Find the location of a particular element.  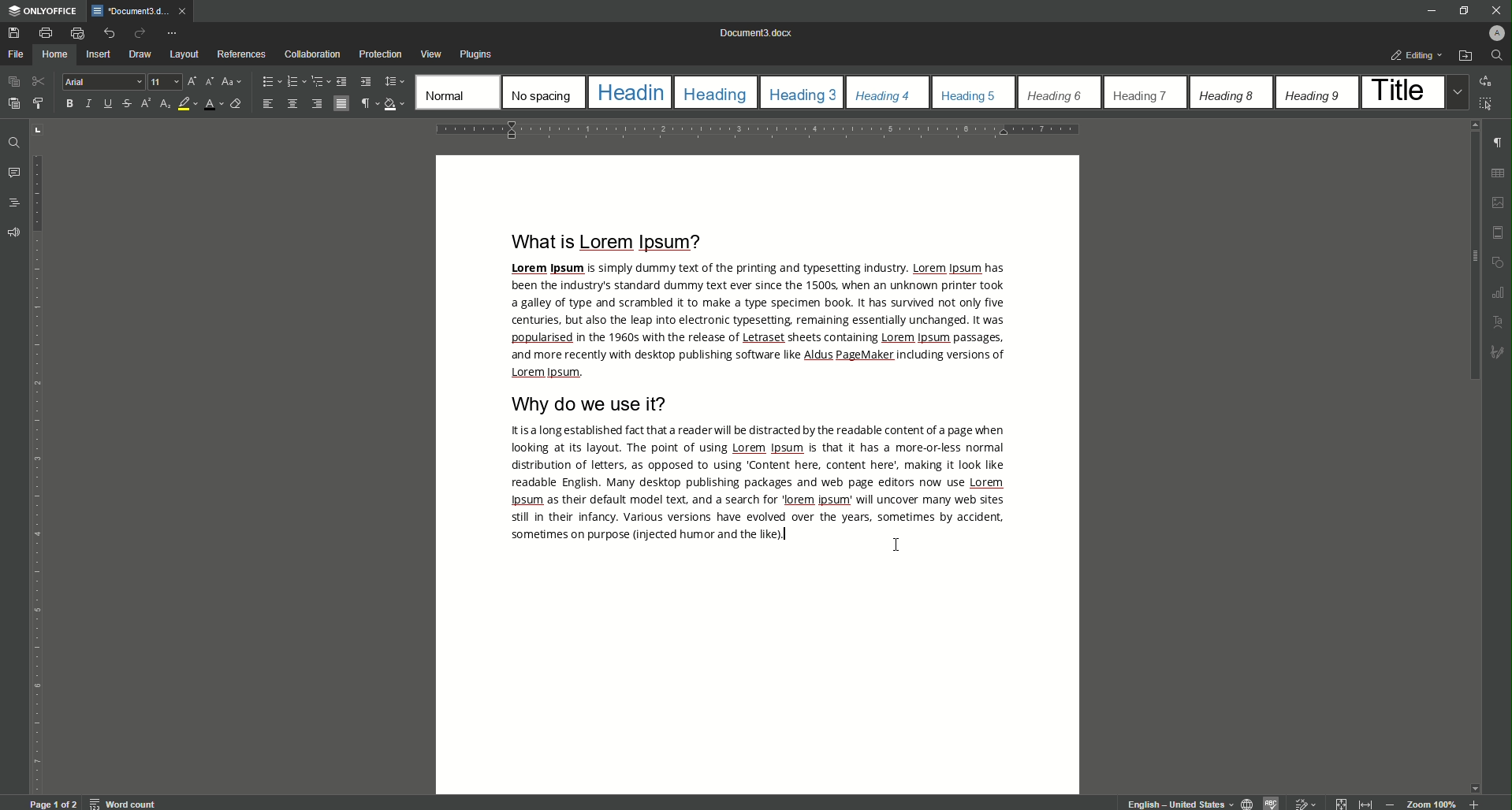

Restore is located at coordinates (1463, 9).